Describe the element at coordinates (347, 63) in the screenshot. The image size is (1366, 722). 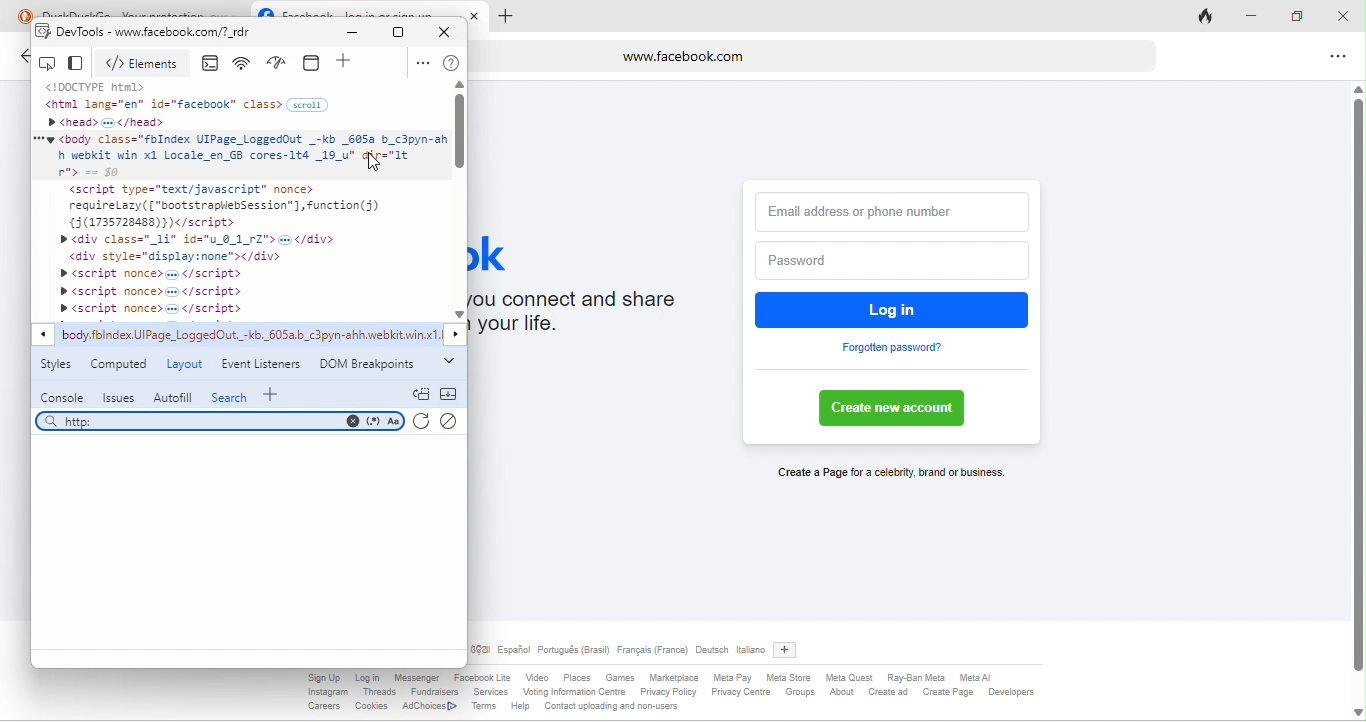
I see `add` at that location.